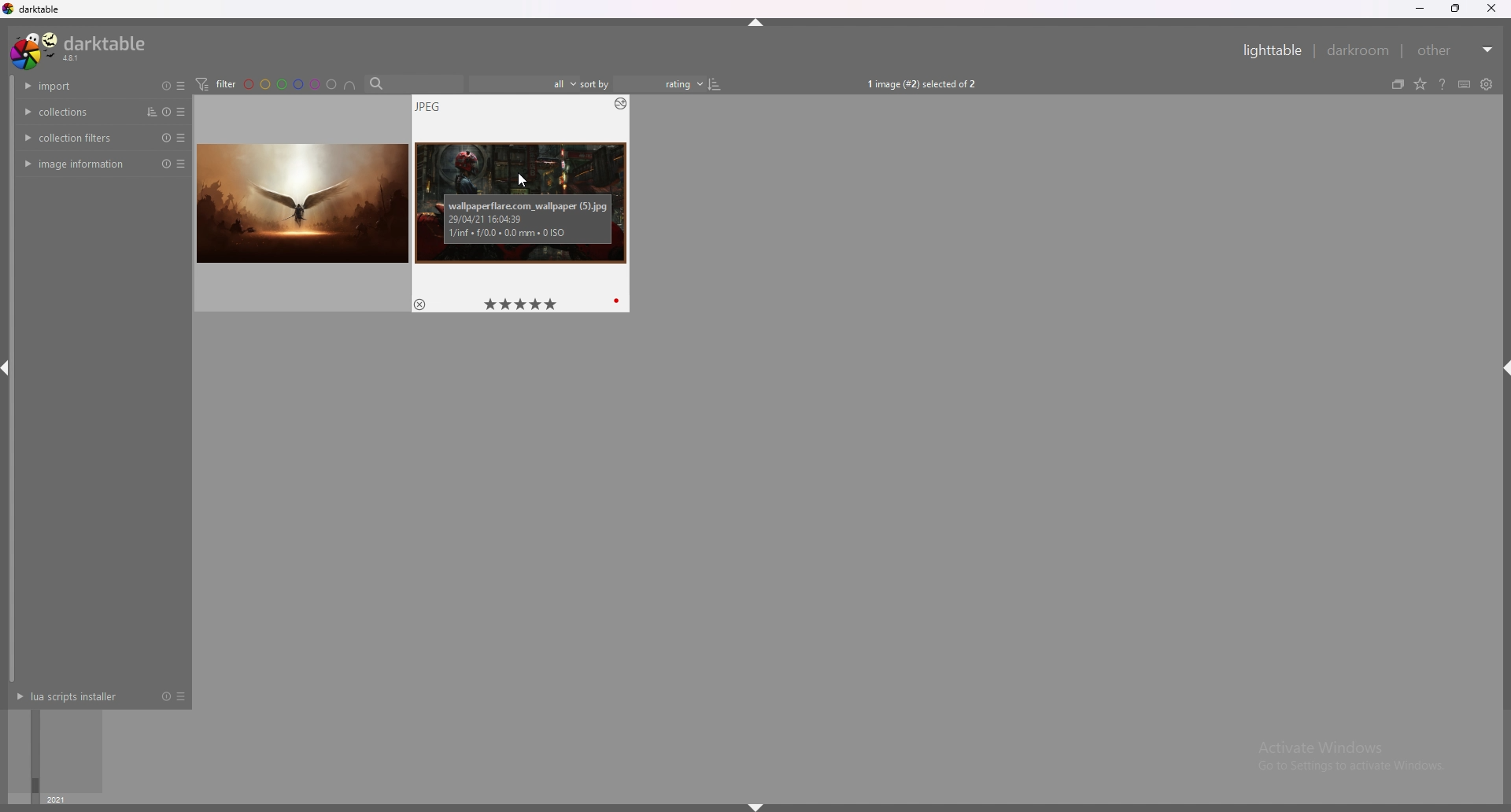 The image size is (1511, 812). What do you see at coordinates (419, 304) in the screenshot?
I see `reject` at bounding box center [419, 304].